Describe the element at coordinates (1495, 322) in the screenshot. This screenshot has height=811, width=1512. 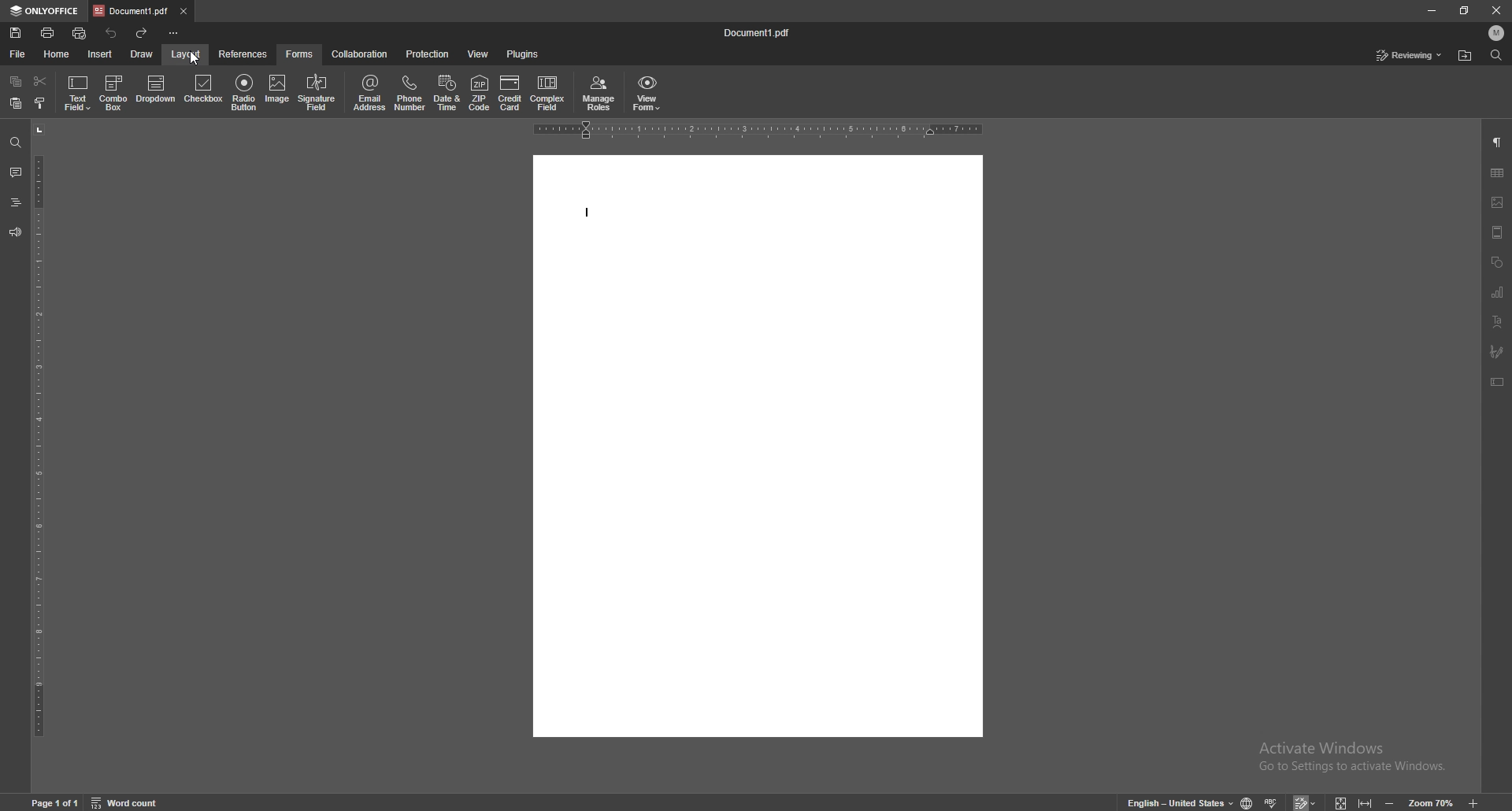
I see `text art` at that location.